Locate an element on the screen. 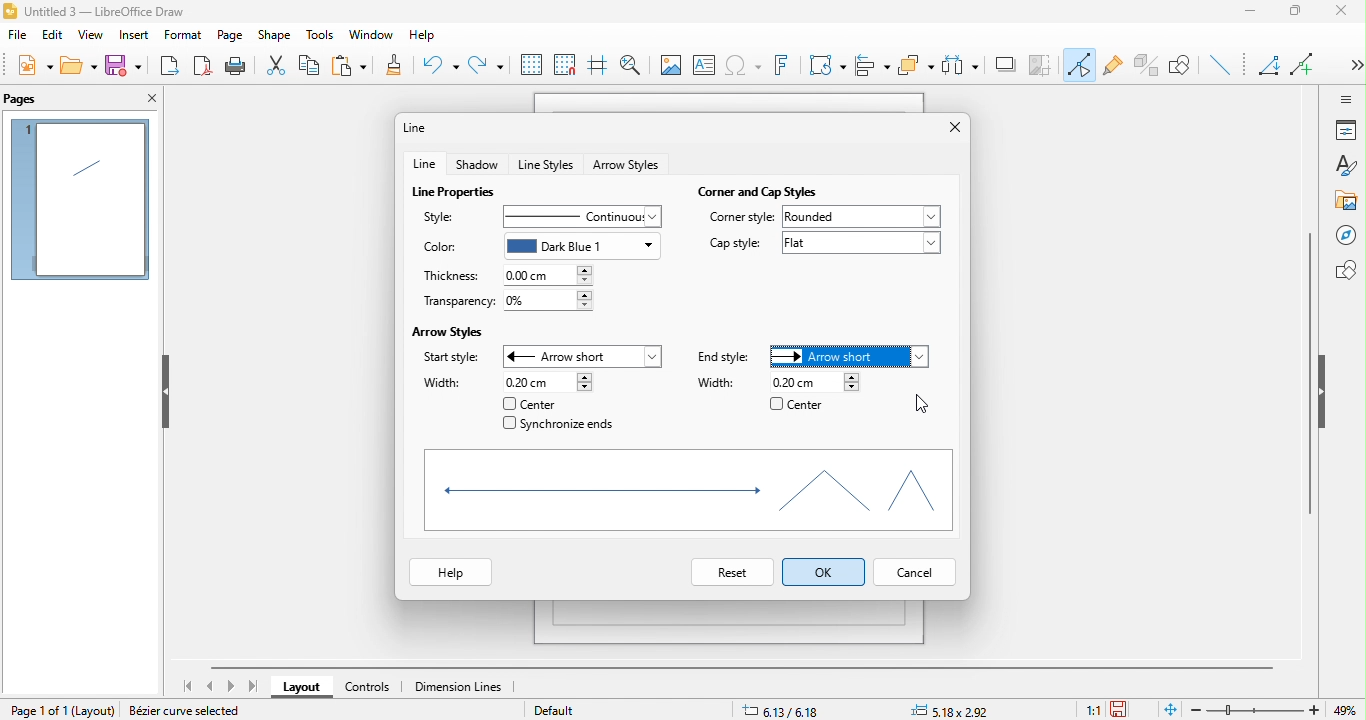 This screenshot has width=1366, height=720. last page is located at coordinates (252, 686).